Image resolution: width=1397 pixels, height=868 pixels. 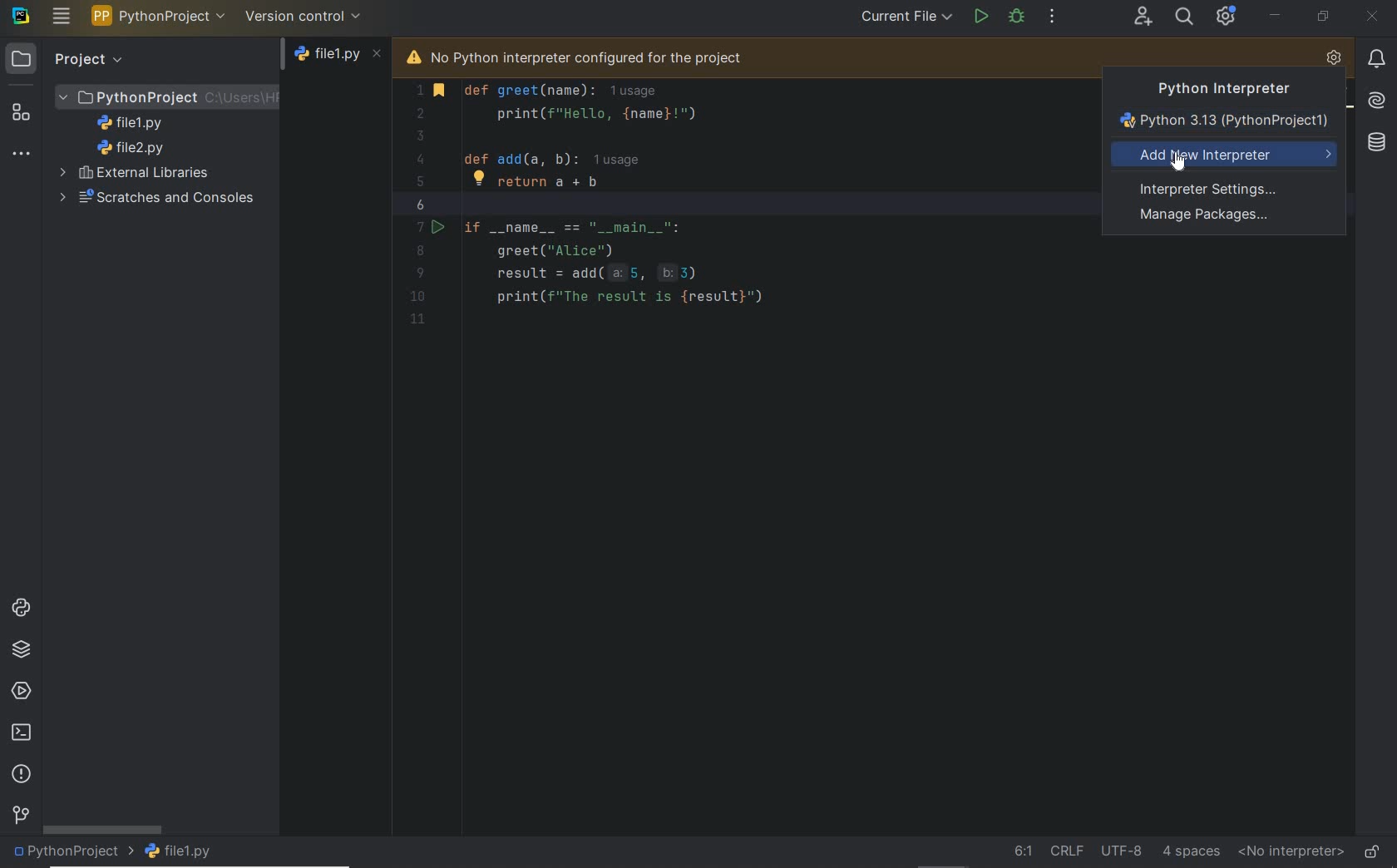 I want to click on no problema, so click(x=1342, y=96).